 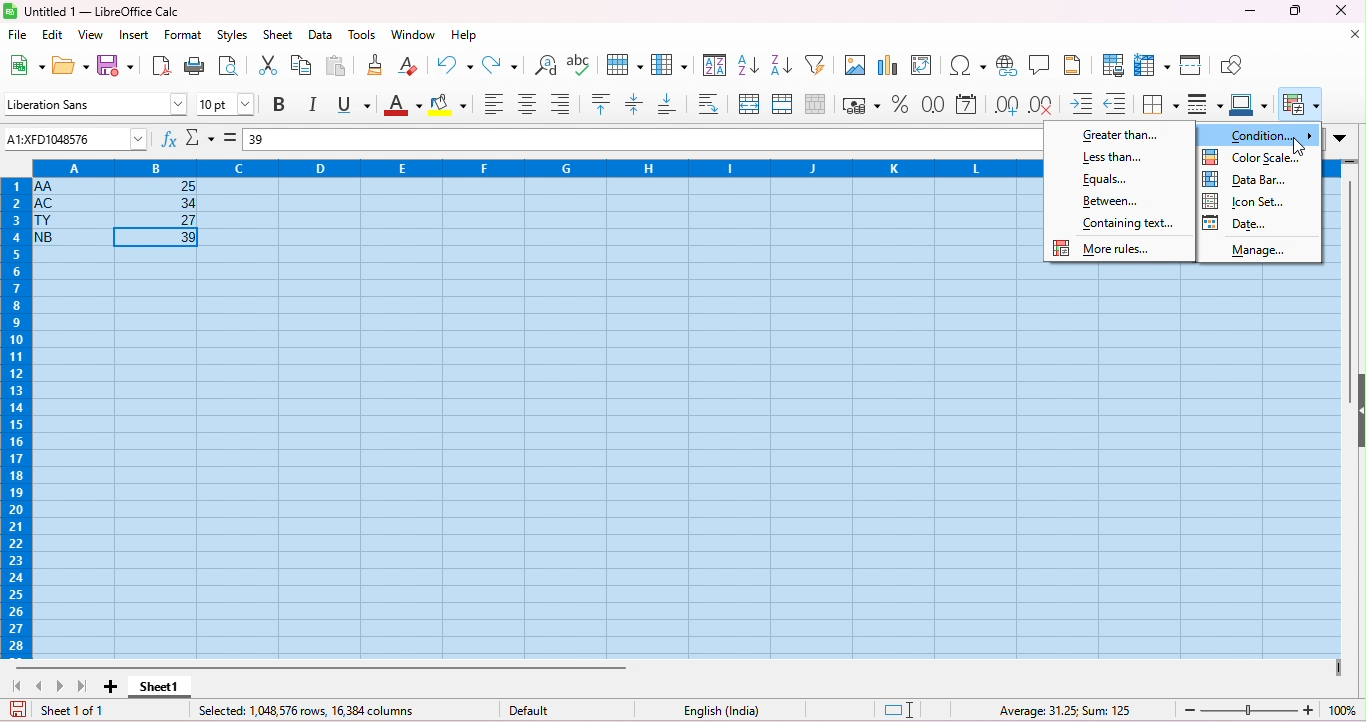 What do you see at coordinates (635, 104) in the screenshot?
I see `center vertically` at bounding box center [635, 104].